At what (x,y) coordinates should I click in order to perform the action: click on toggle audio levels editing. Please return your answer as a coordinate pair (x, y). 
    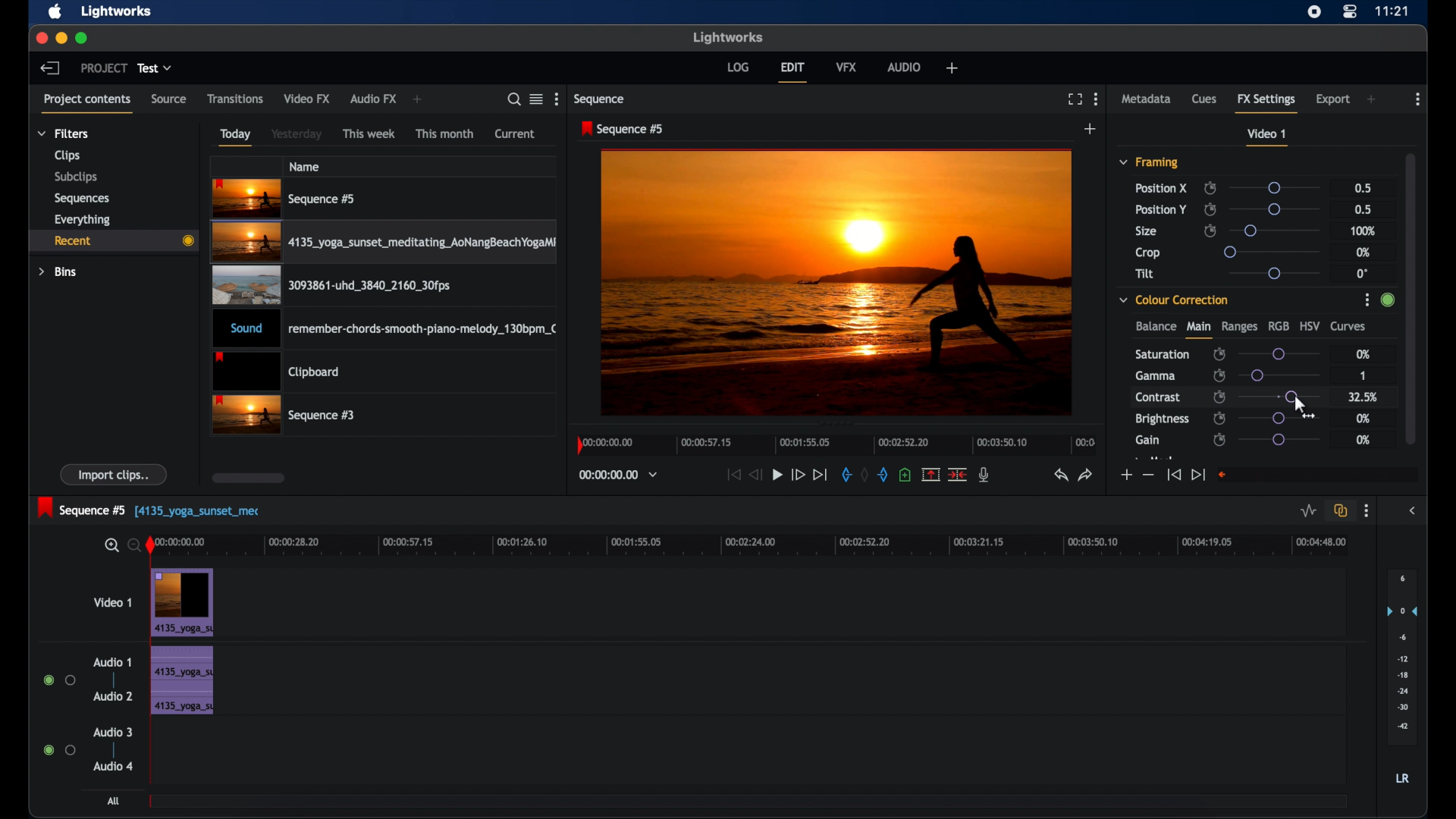
    Looking at the image, I should click on (1309, 511).